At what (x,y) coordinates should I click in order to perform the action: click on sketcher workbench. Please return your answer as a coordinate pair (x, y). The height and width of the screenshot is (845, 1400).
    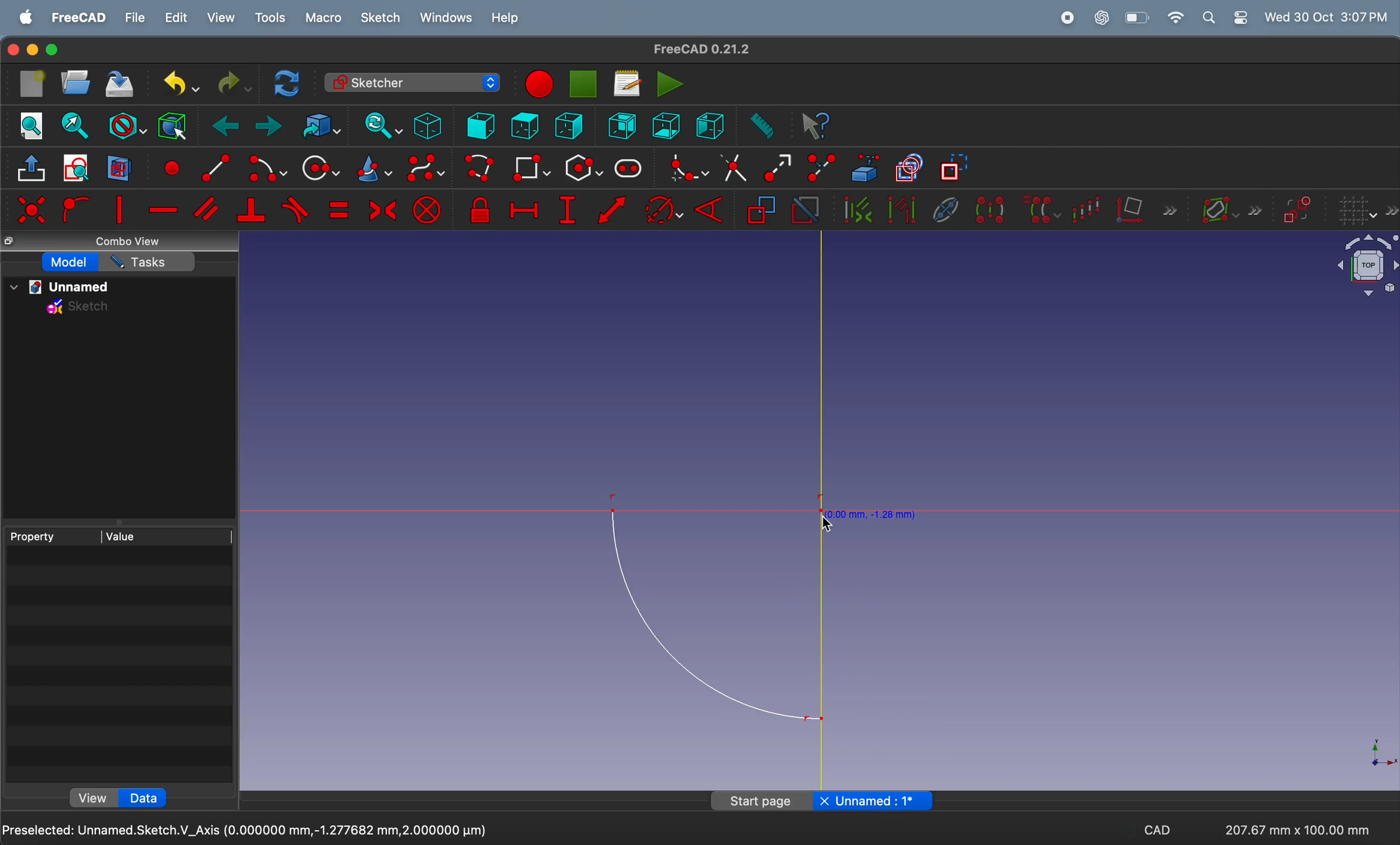
    Looking at the image, I should click on (411, 82).